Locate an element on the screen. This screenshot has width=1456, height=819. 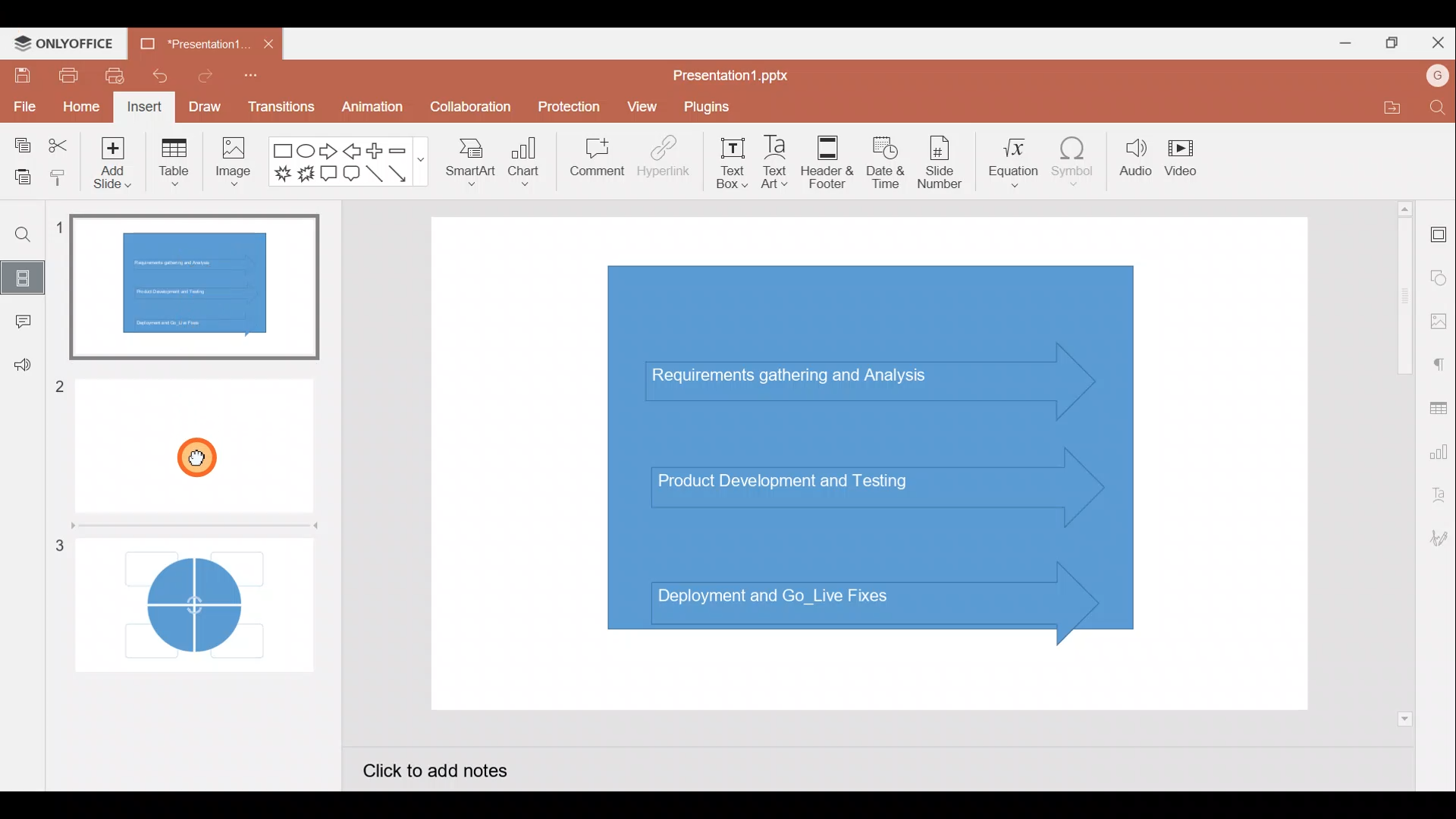
Image settings is located at coordinates (1437, 318).